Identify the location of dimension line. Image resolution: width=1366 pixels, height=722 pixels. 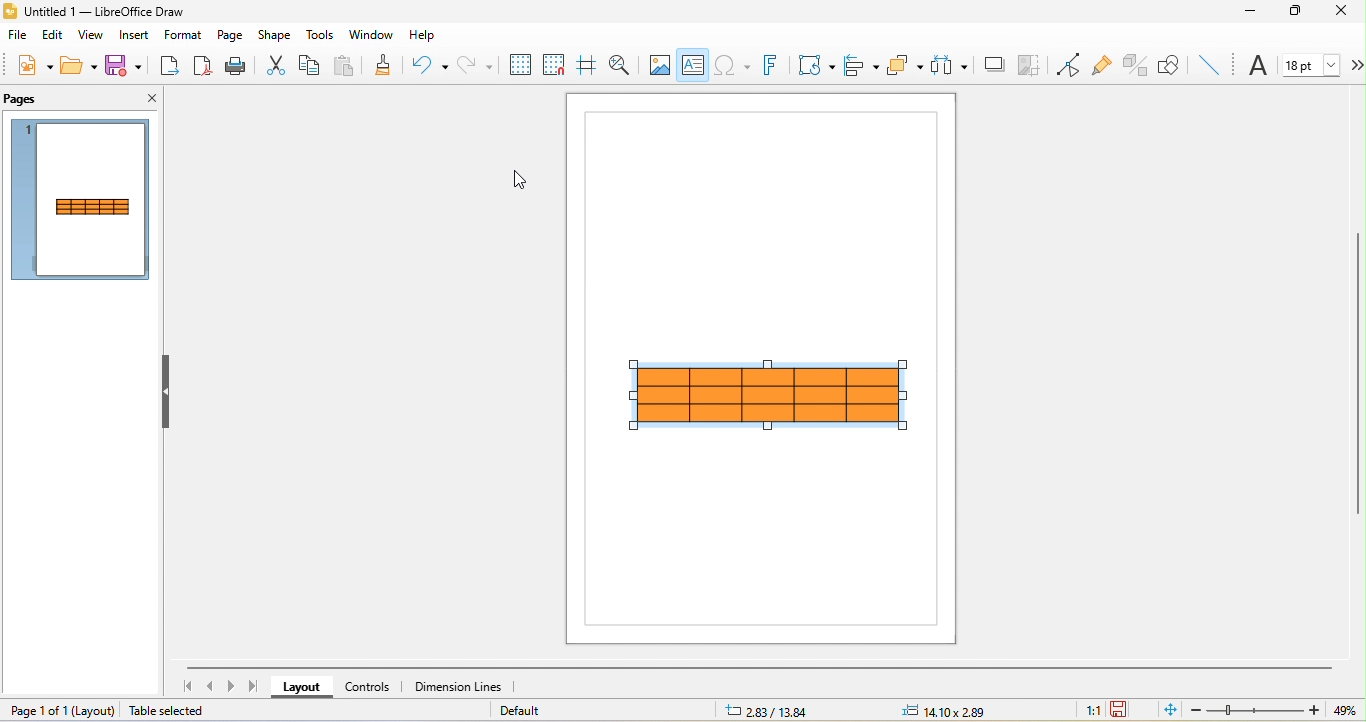
(457, 685).